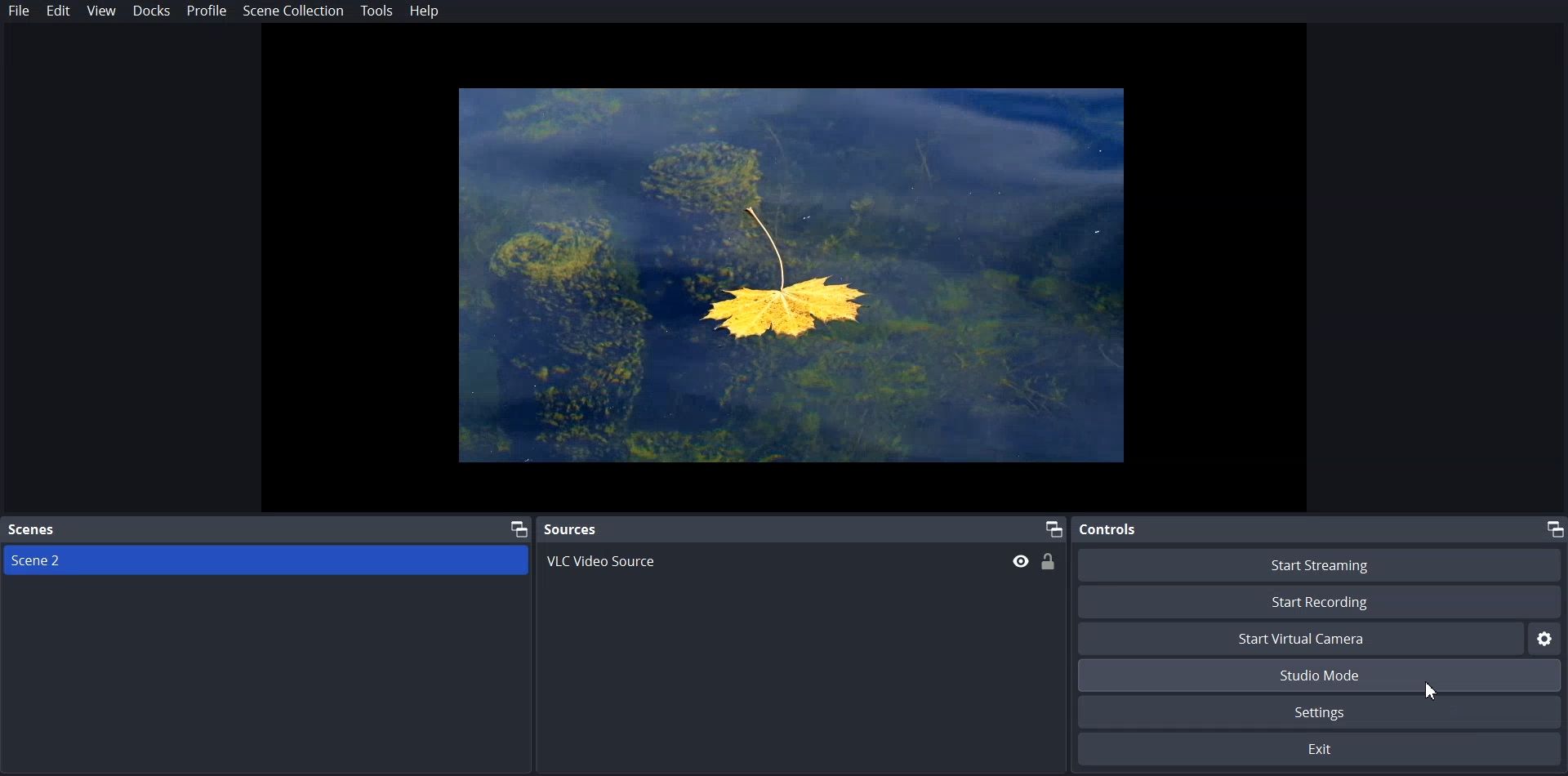 The image size is (1568, 776). Describe the element at coordinates (151, 11) in the screenshot. I see `Docks` at that location.